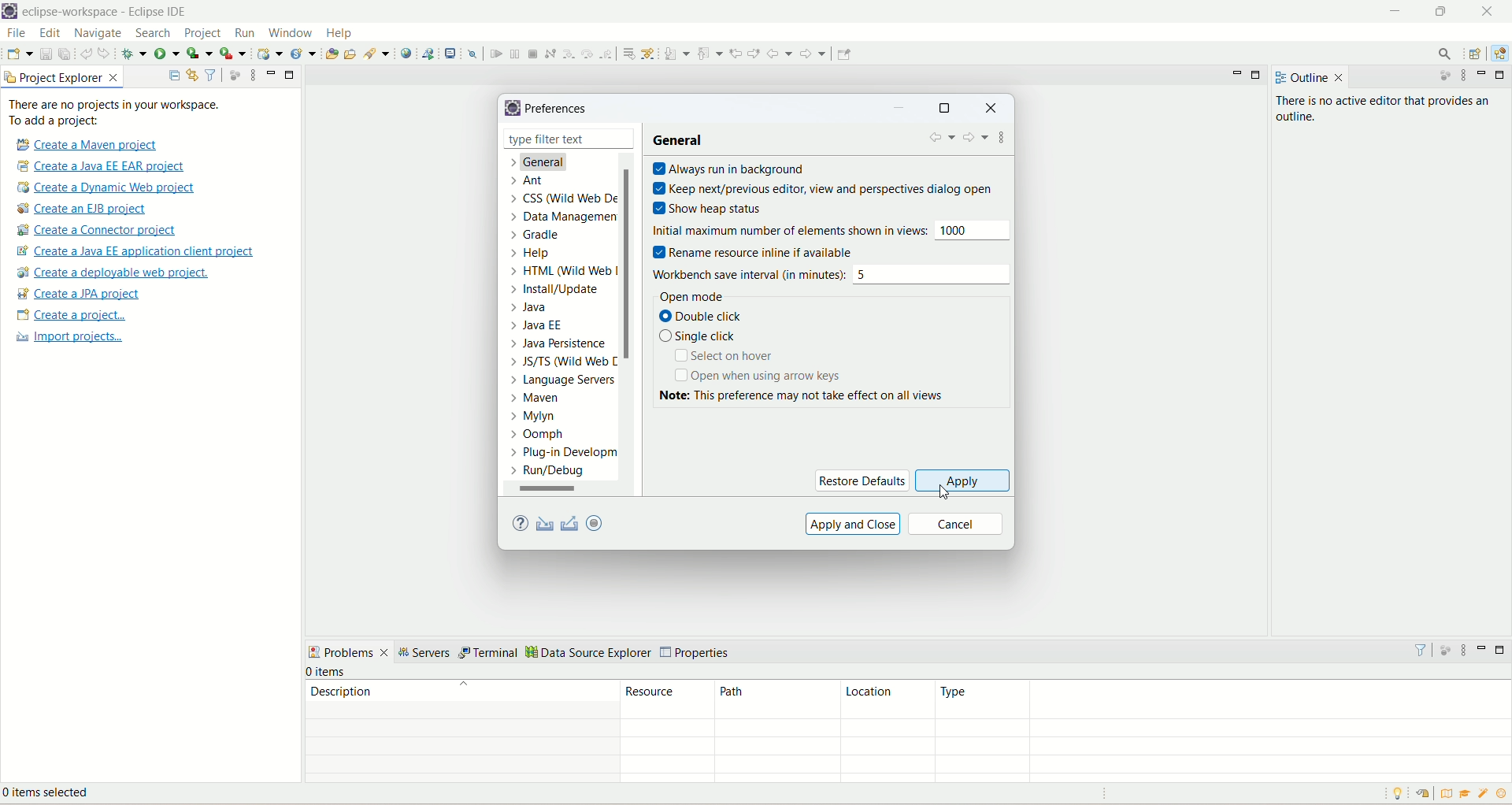 This screenshot has height=805, width=1512. I want to click on focus on active task, so click(235, 74).